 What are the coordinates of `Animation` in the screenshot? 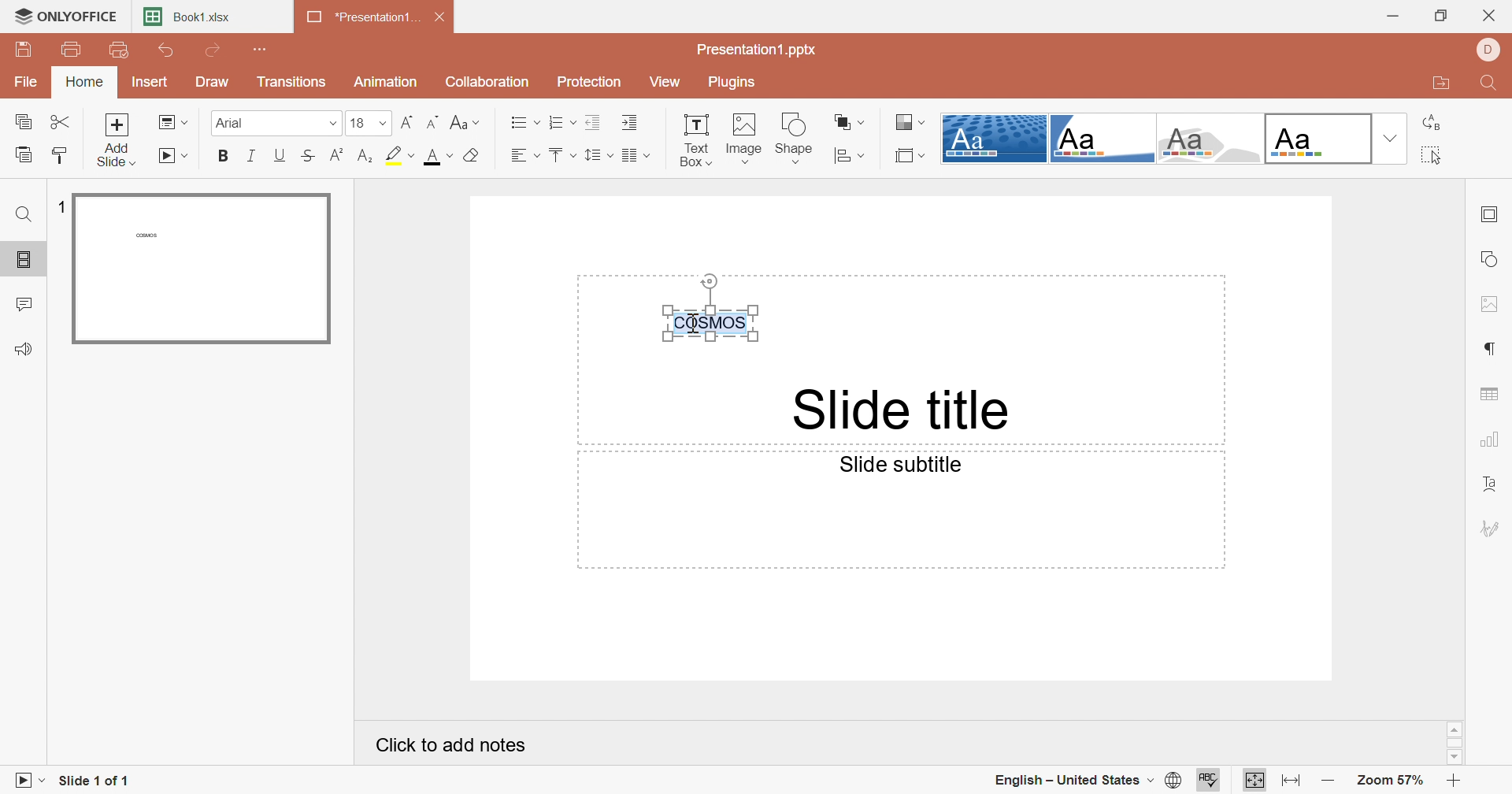 It's located at (386, 82).